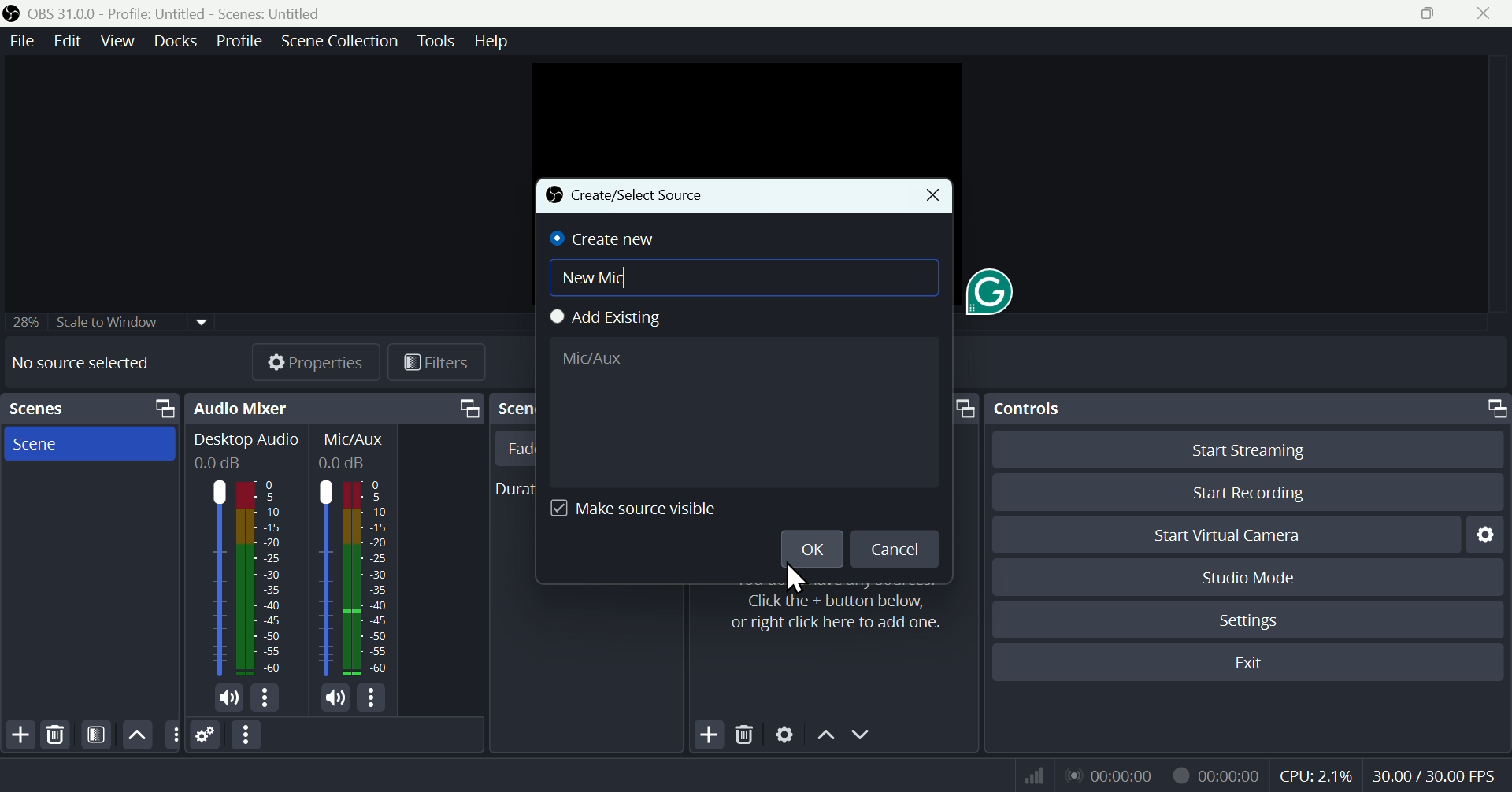 The image size is (1512, 792). What do you see at coordinates (627, 196) in the screenshot?
I see `Create/Select Source` at bounding box center [627, 196].